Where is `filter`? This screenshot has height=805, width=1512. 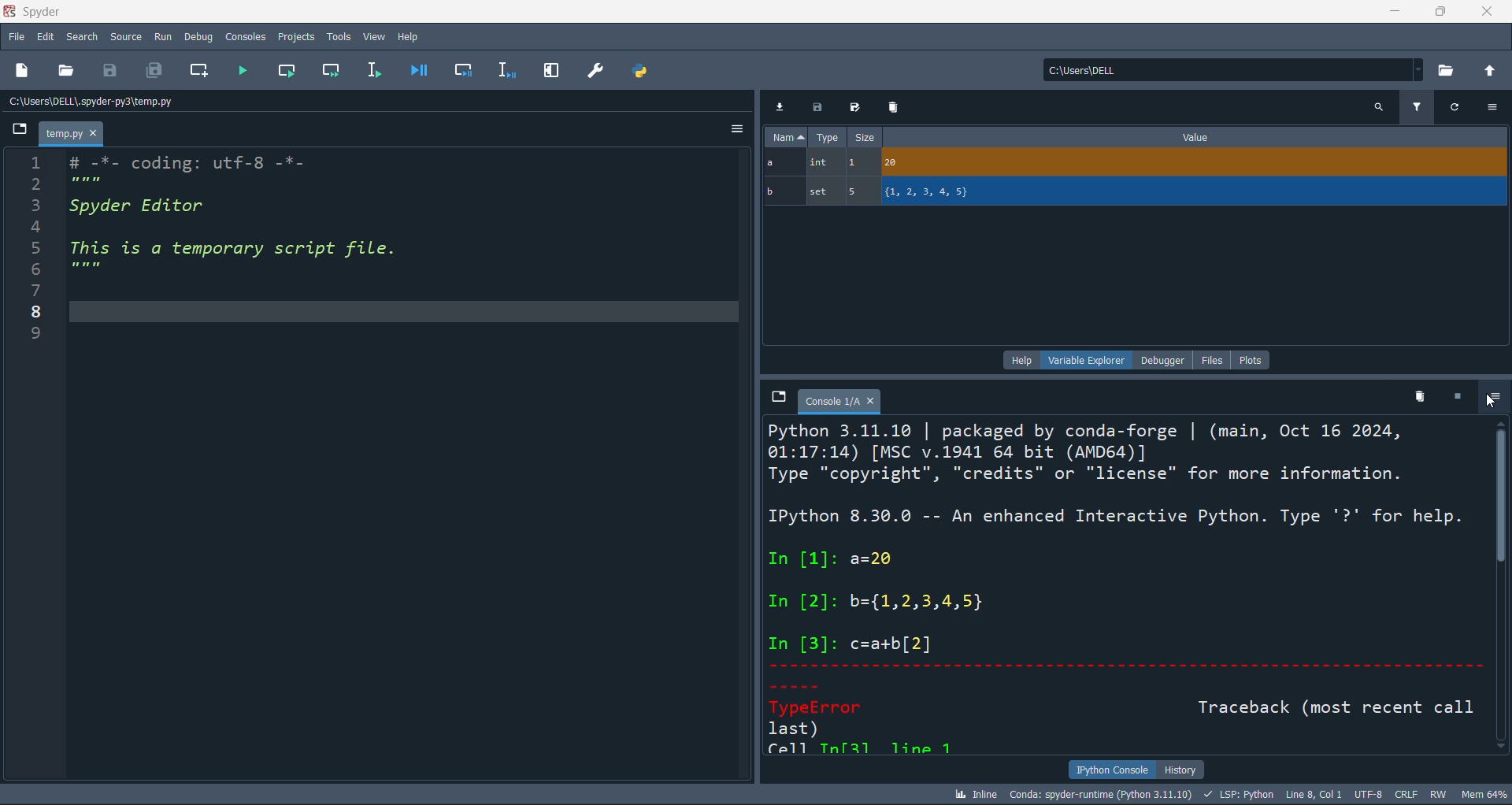 filter is located at coordinates (1416, 106).